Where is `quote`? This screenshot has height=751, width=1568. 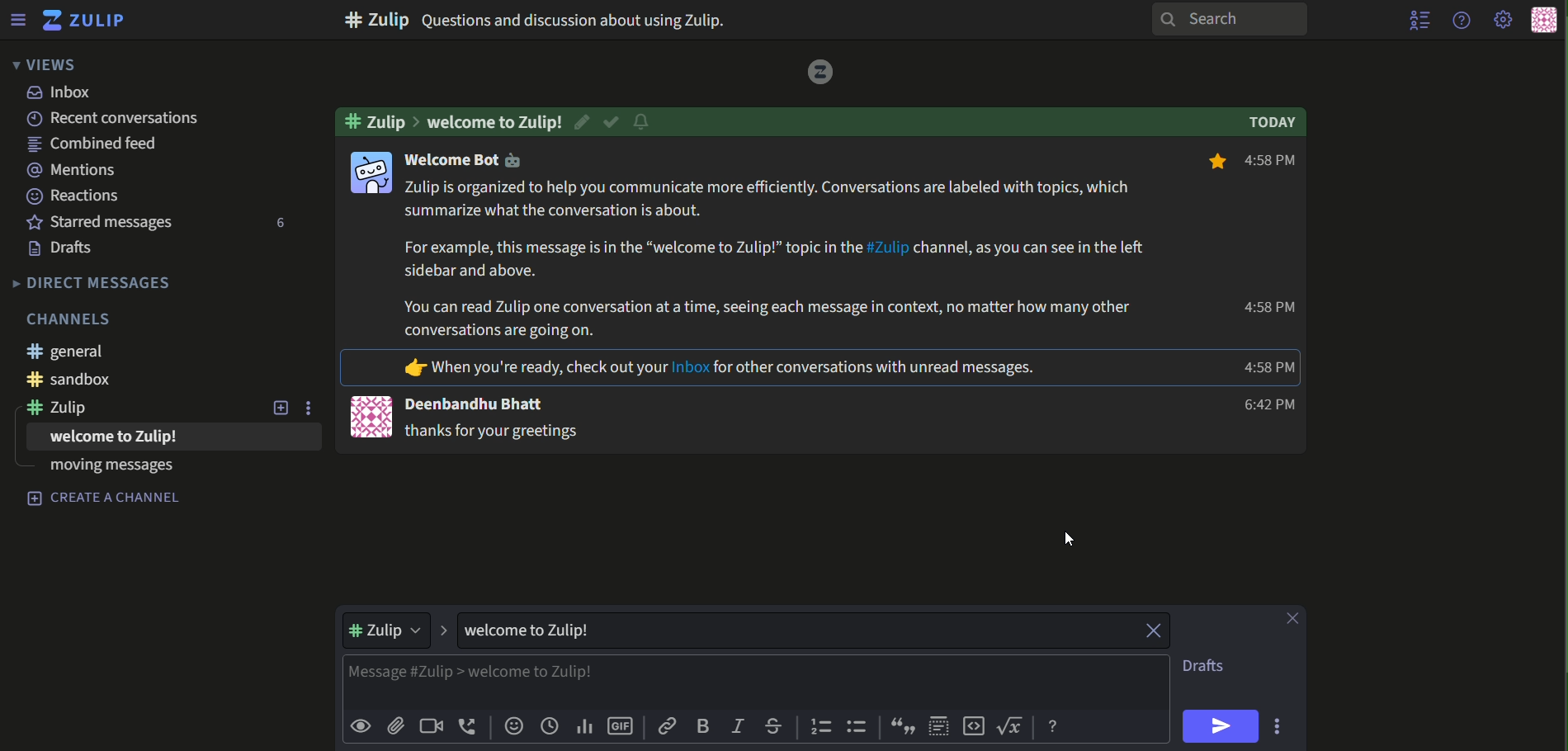
quote is located at coordinates (904, 728).